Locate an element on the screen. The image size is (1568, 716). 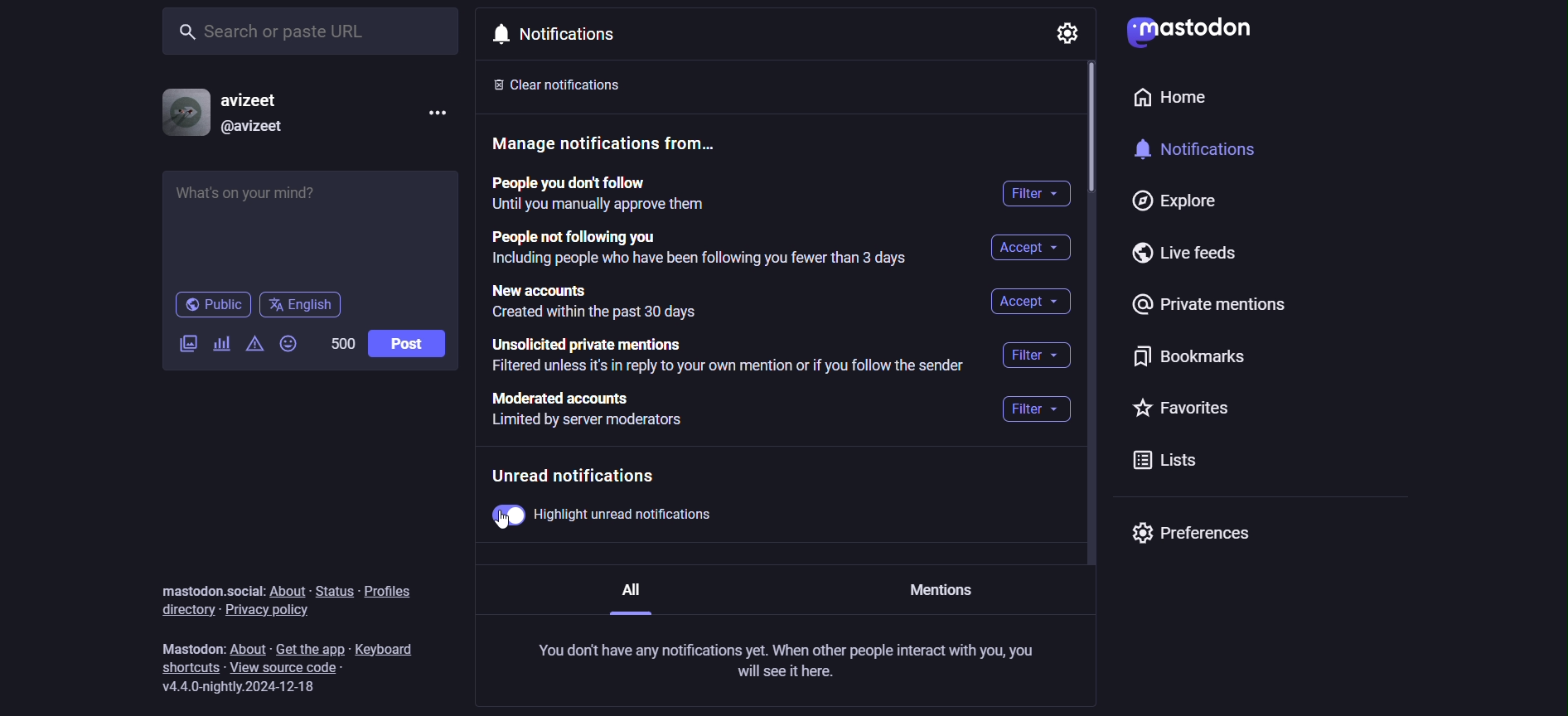
unread notification is located at coordinates (588, 477).